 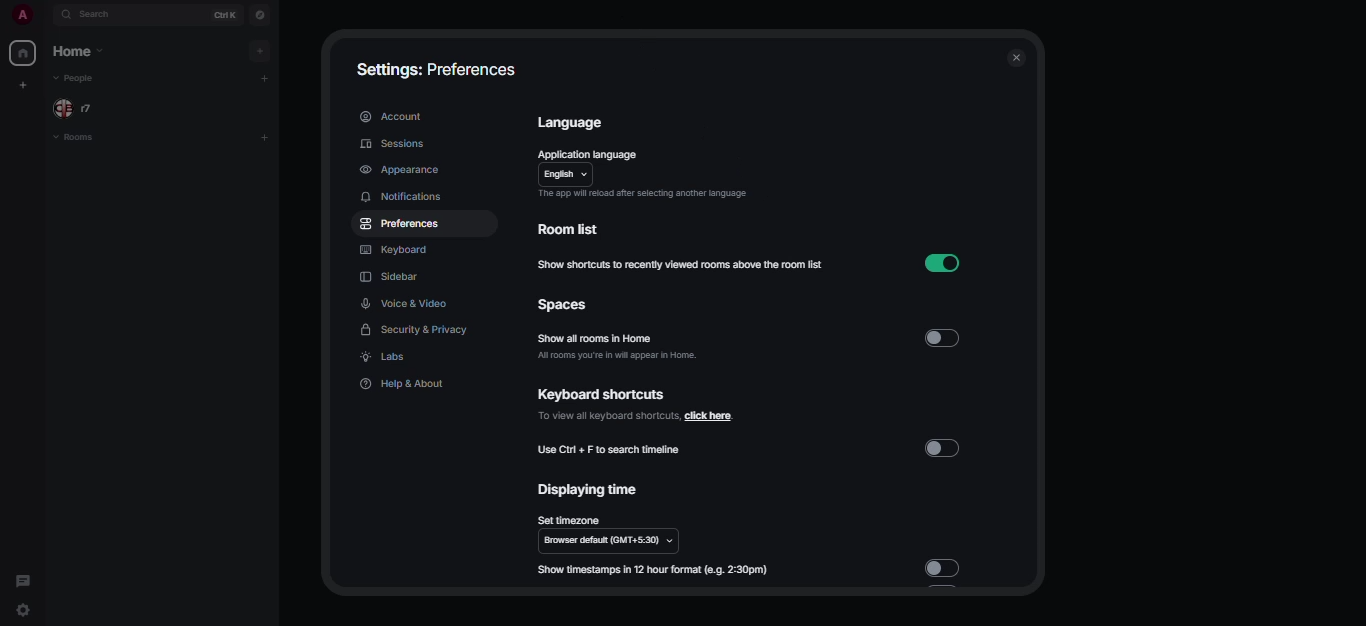 I want to click on search, so click(x=100, y=16).